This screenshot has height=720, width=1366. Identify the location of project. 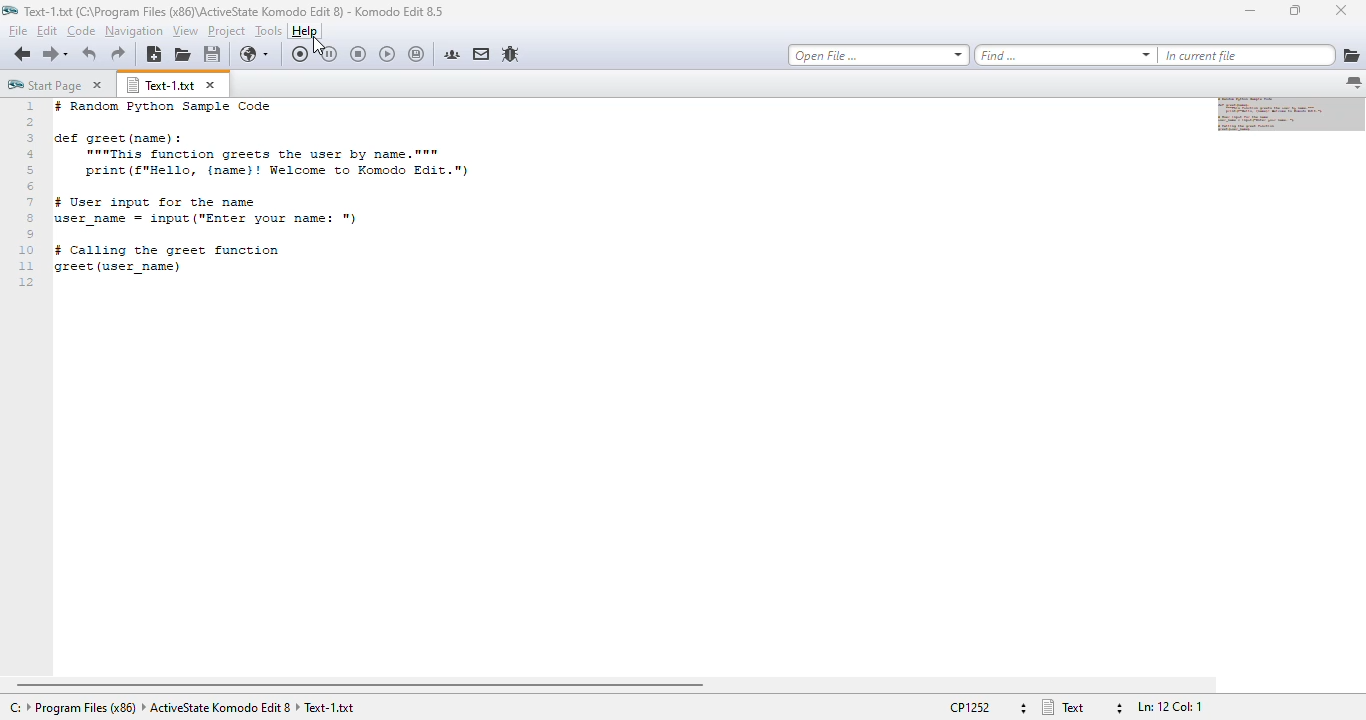
(227, 30).